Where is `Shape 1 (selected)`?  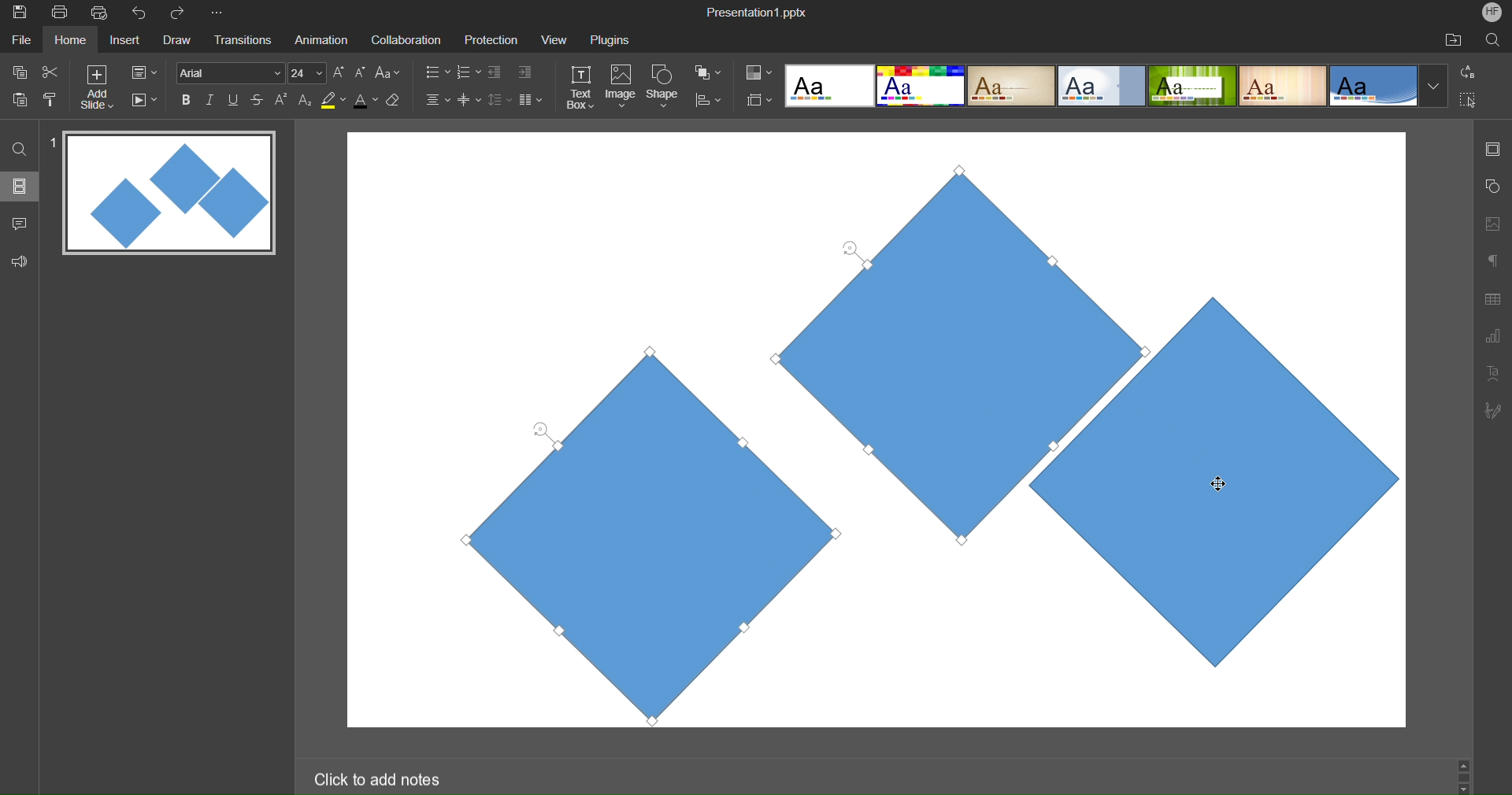 Shape 1 (selected) is located at coordinates (632, 533).